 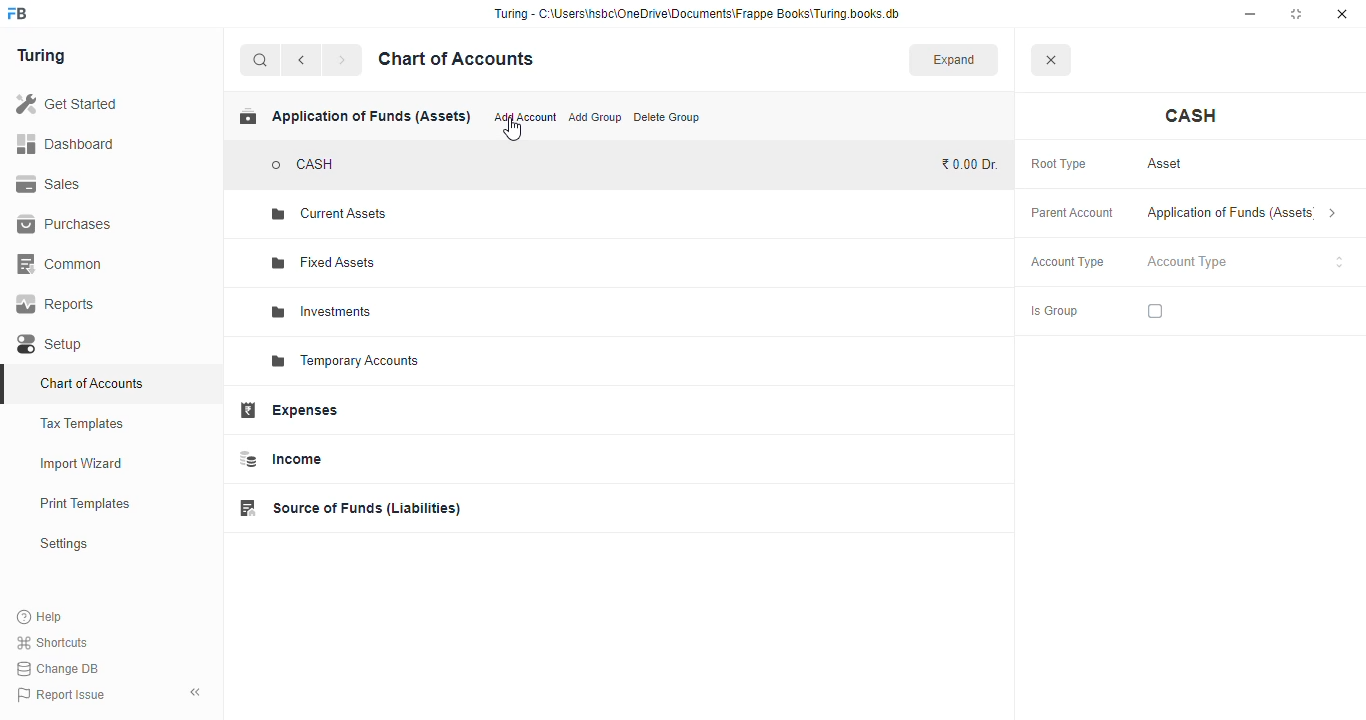 What do you see at coordinates (52, 344) in the screenshot?
I see `setup` at bounding box center [52, 344].